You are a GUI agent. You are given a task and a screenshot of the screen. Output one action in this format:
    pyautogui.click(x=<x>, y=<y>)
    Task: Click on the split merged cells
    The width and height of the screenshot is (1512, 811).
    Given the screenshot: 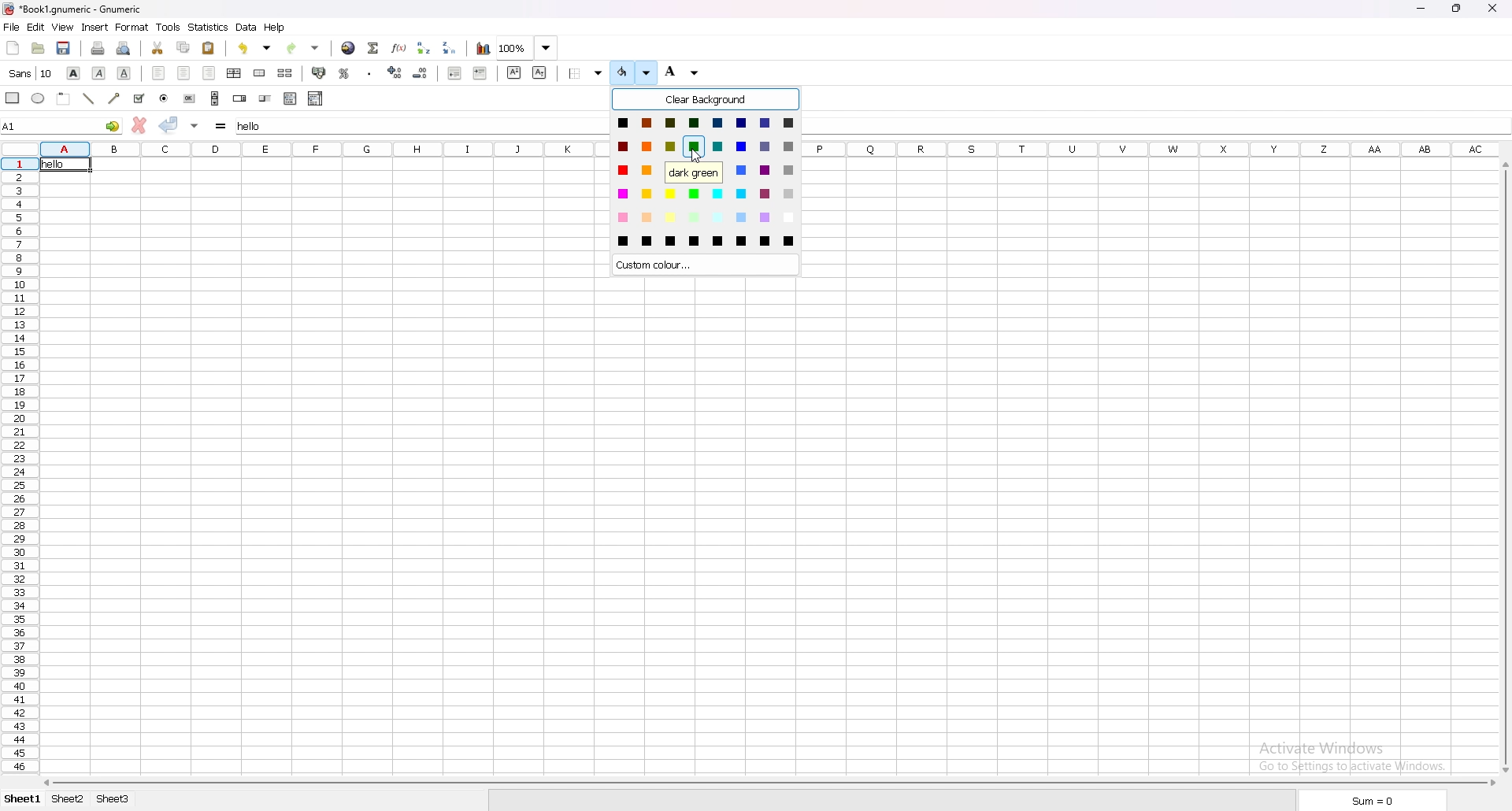 What is the action you would take?
    pyautogui.click(x=286, y=72)
    